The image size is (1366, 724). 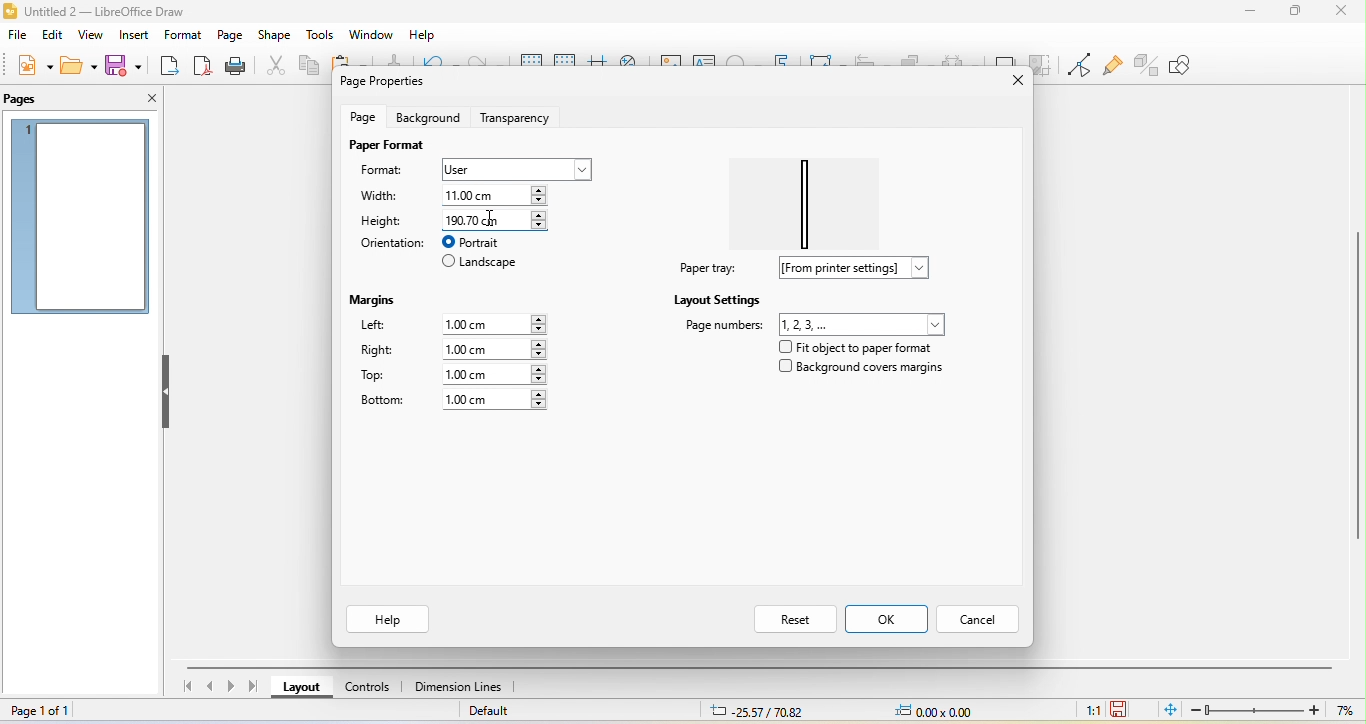 I want to click on paper format, so click(x=386, y=145).